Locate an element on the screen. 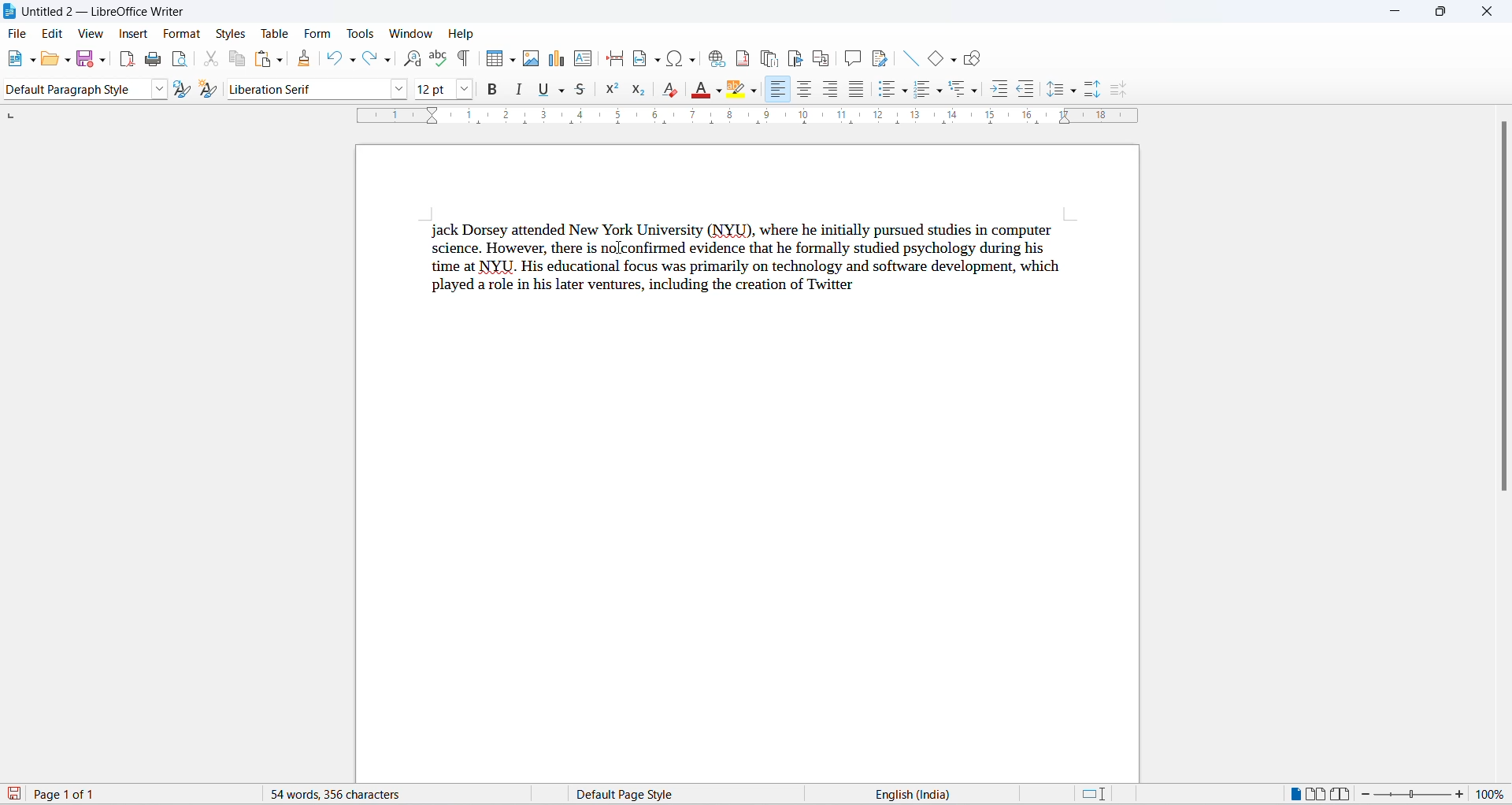  redo is located at coordinates (371, 57).